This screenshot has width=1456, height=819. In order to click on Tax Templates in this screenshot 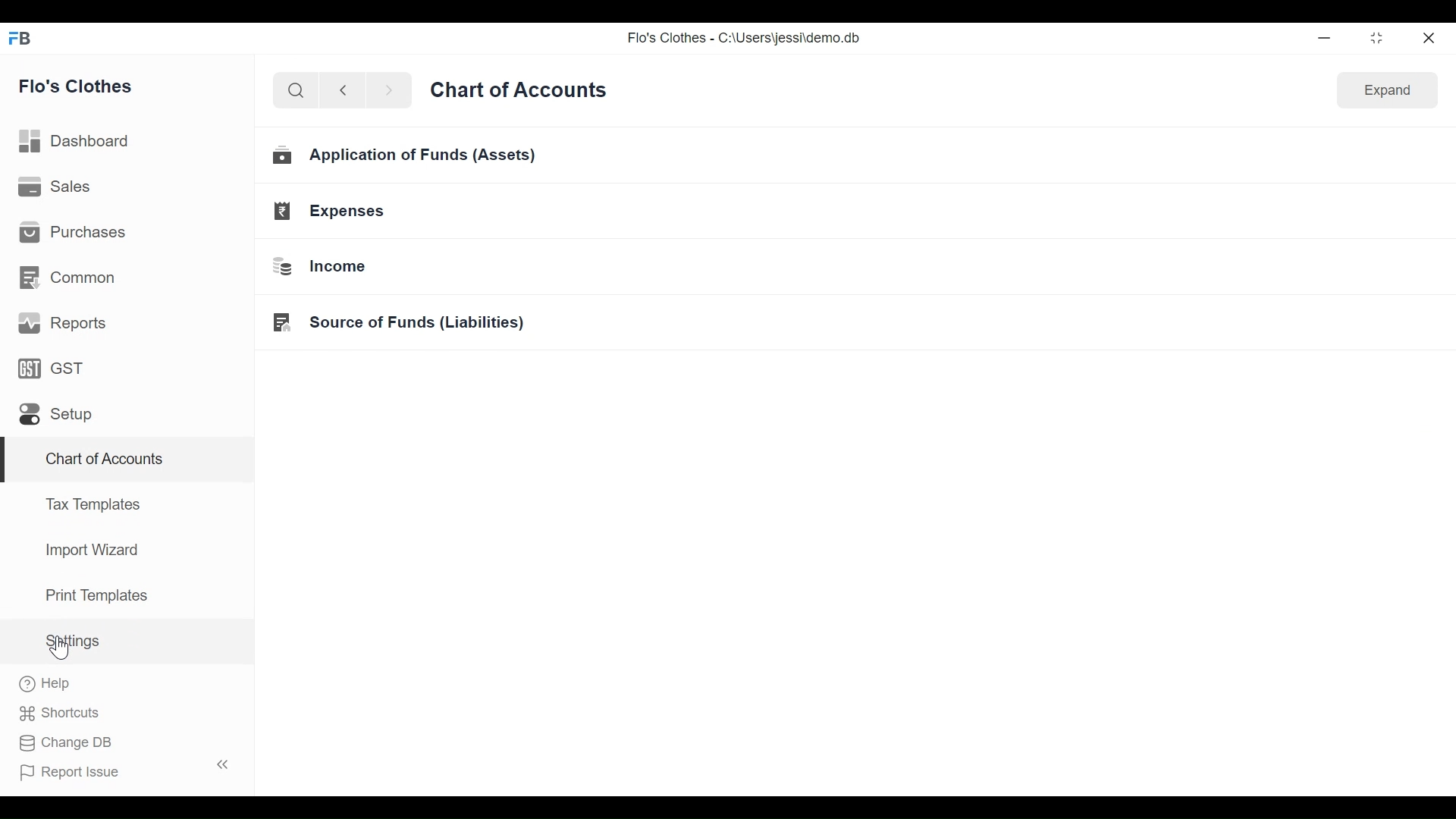, I will do `click(93, 504)`.